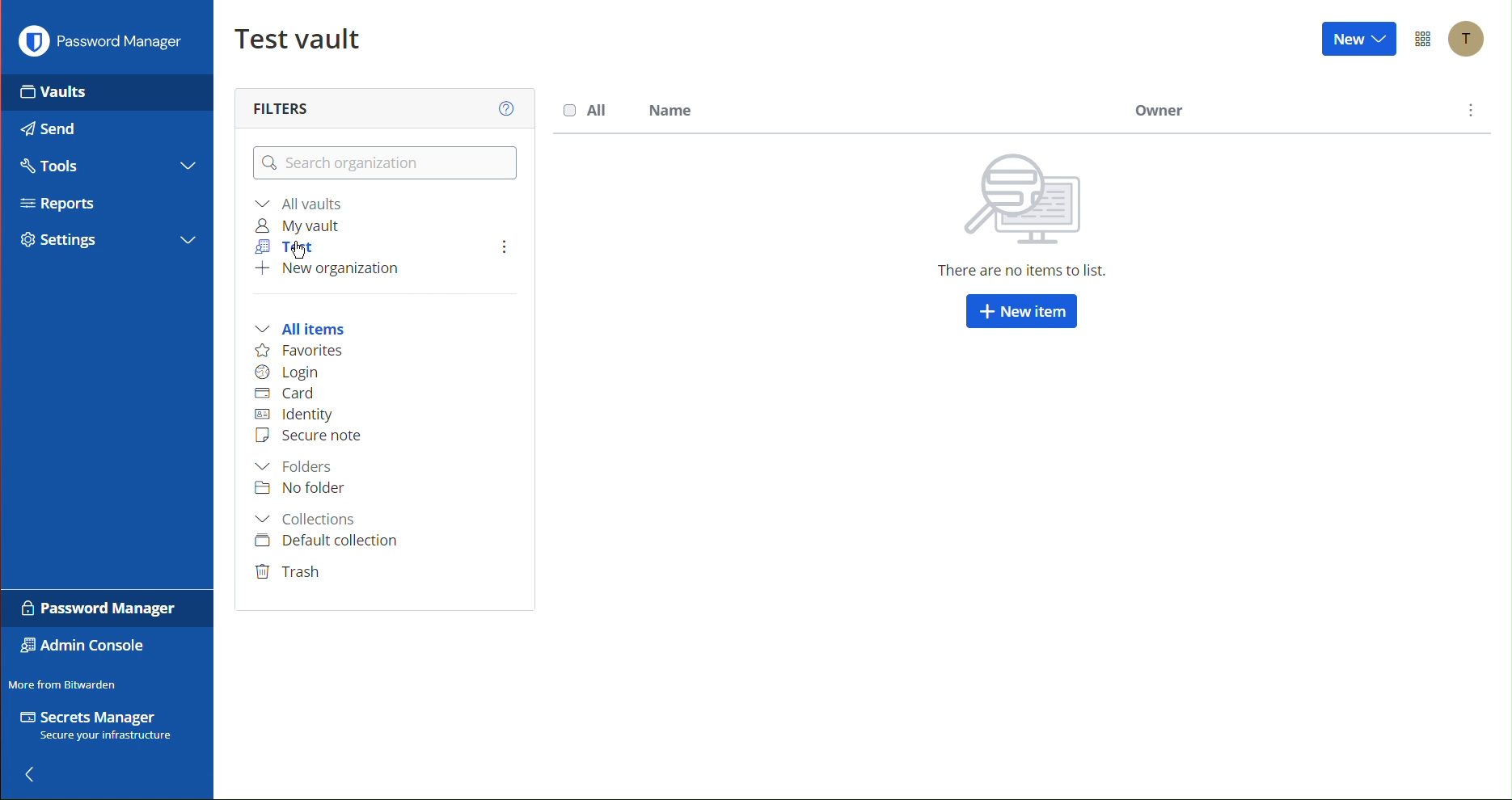  I want to click on More, so click(1467, 112).